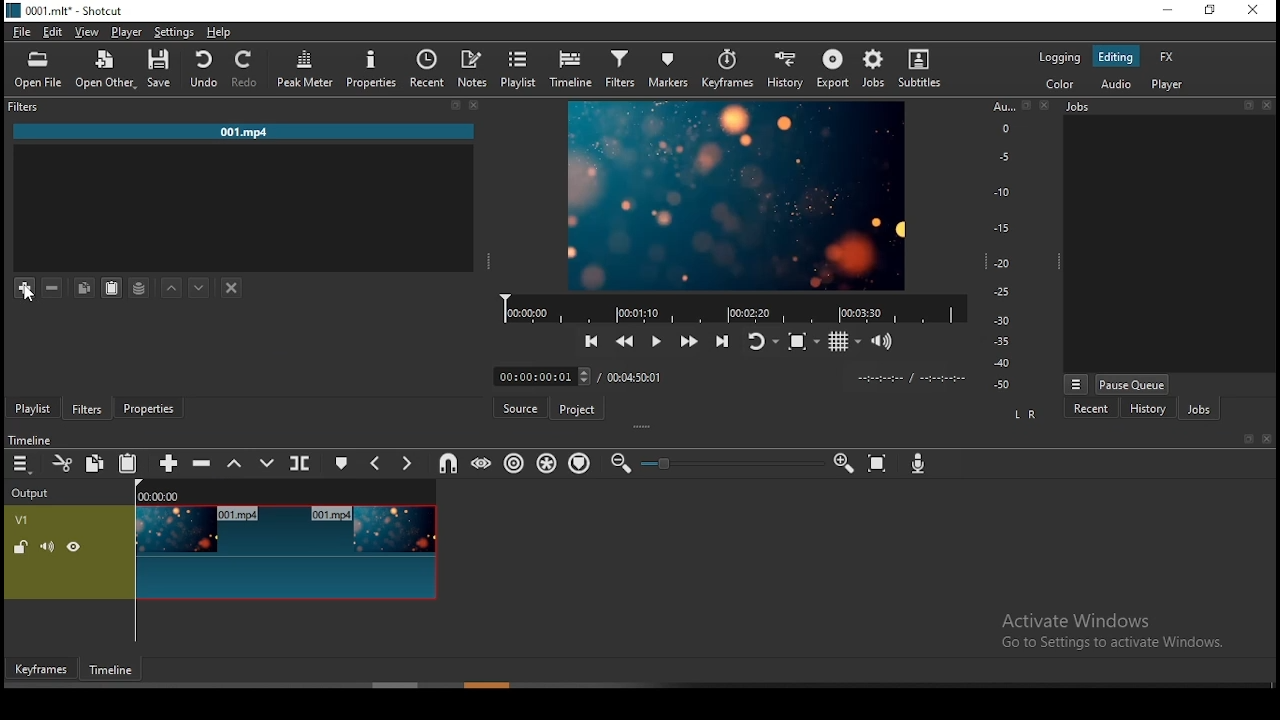  I want to click on zoom timeline out, so click(620, 464).